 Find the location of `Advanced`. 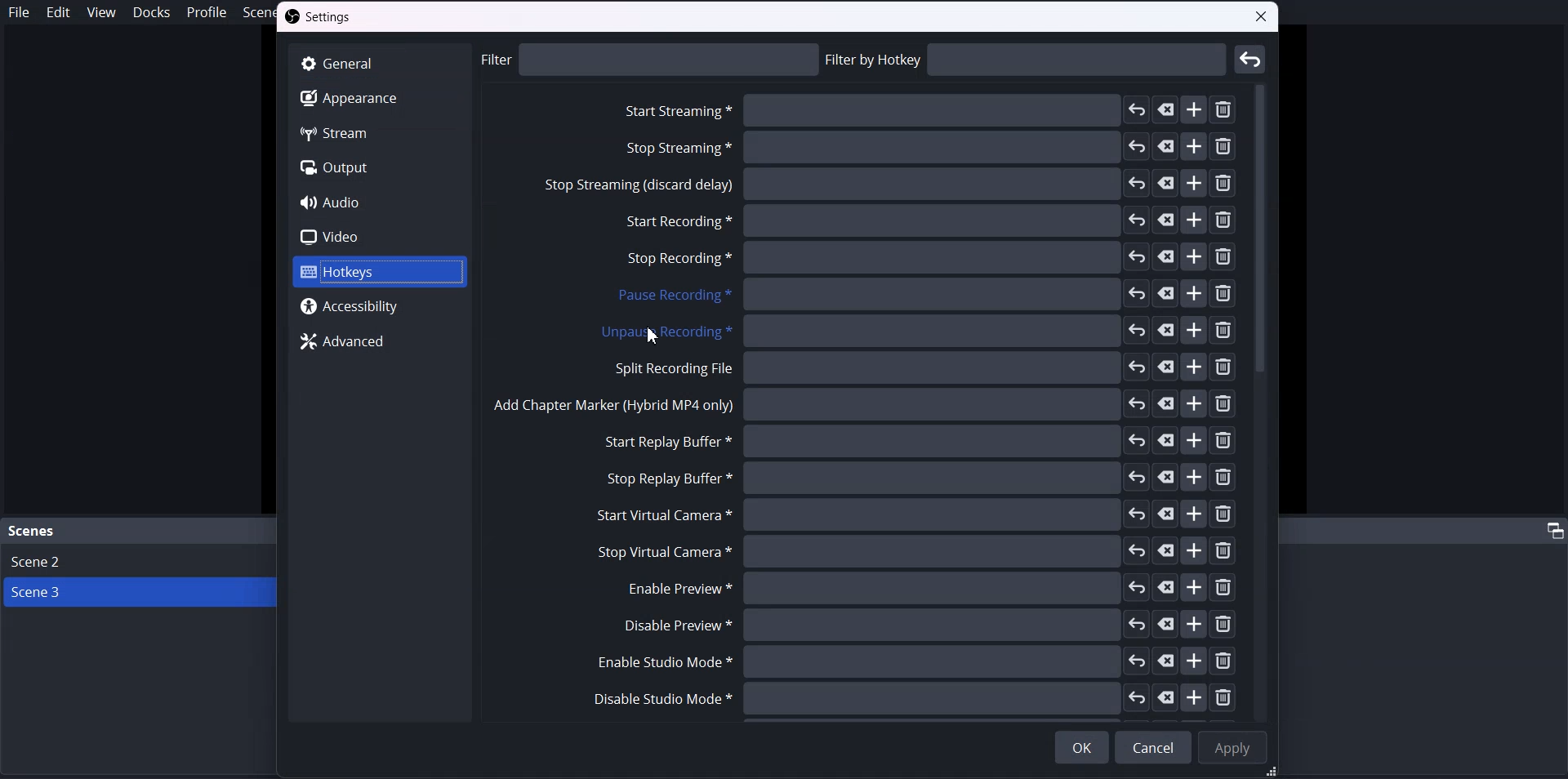

Advanced is located at coordinates (381, 340).